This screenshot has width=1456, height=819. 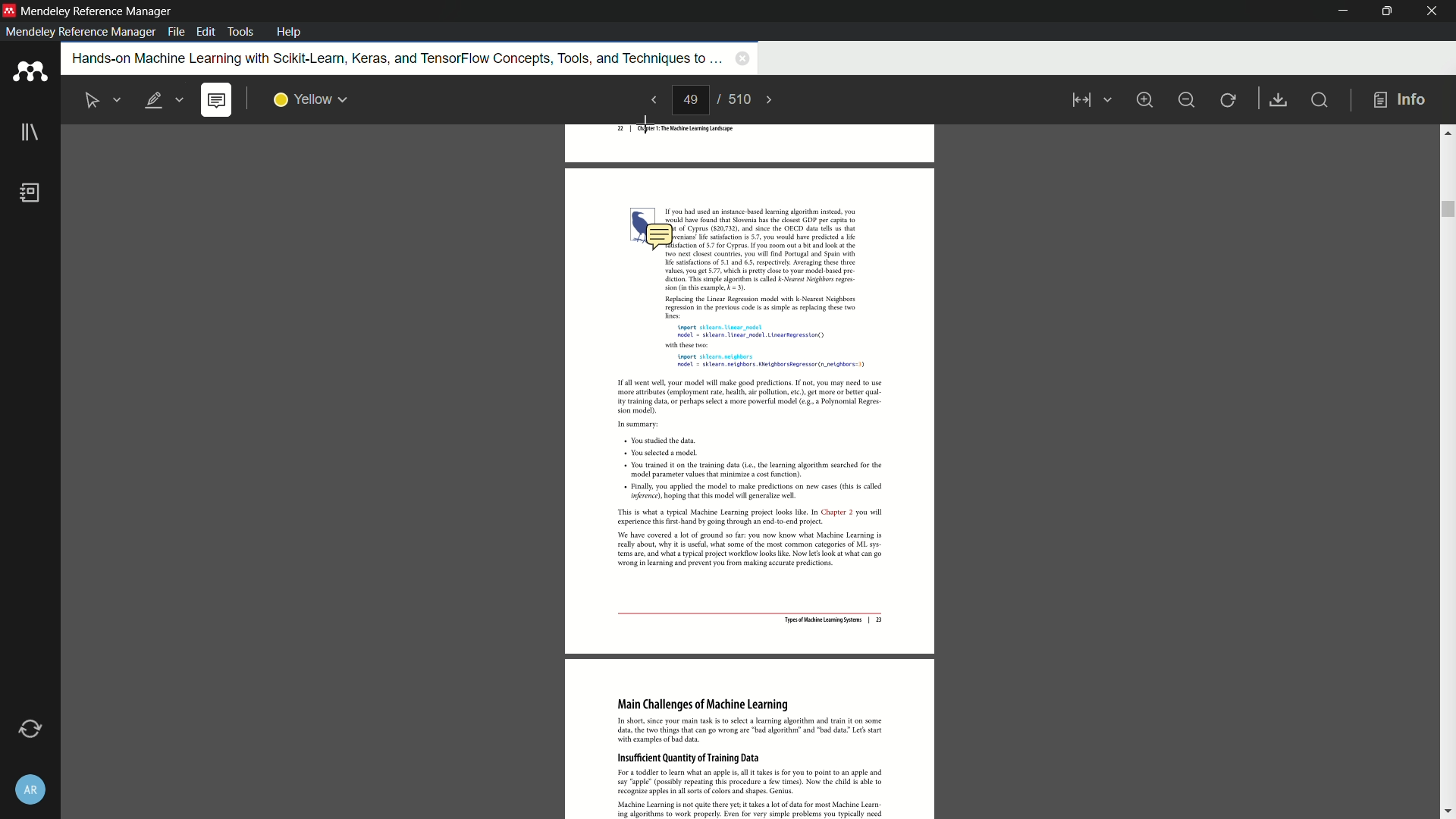 I want to click on previous page, so click(x=651, y=101).